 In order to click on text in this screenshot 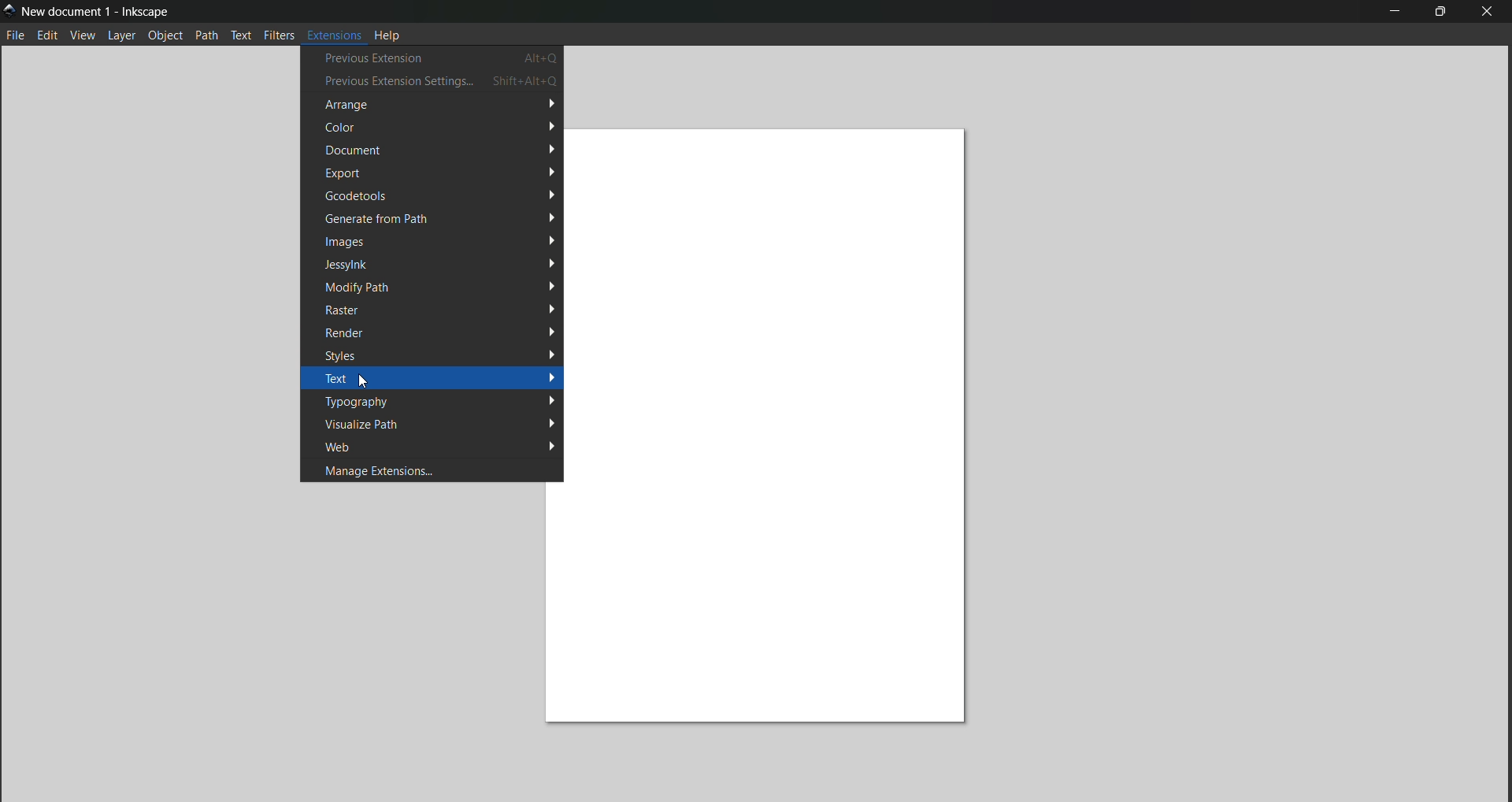, I will do `click(242, 35)`.